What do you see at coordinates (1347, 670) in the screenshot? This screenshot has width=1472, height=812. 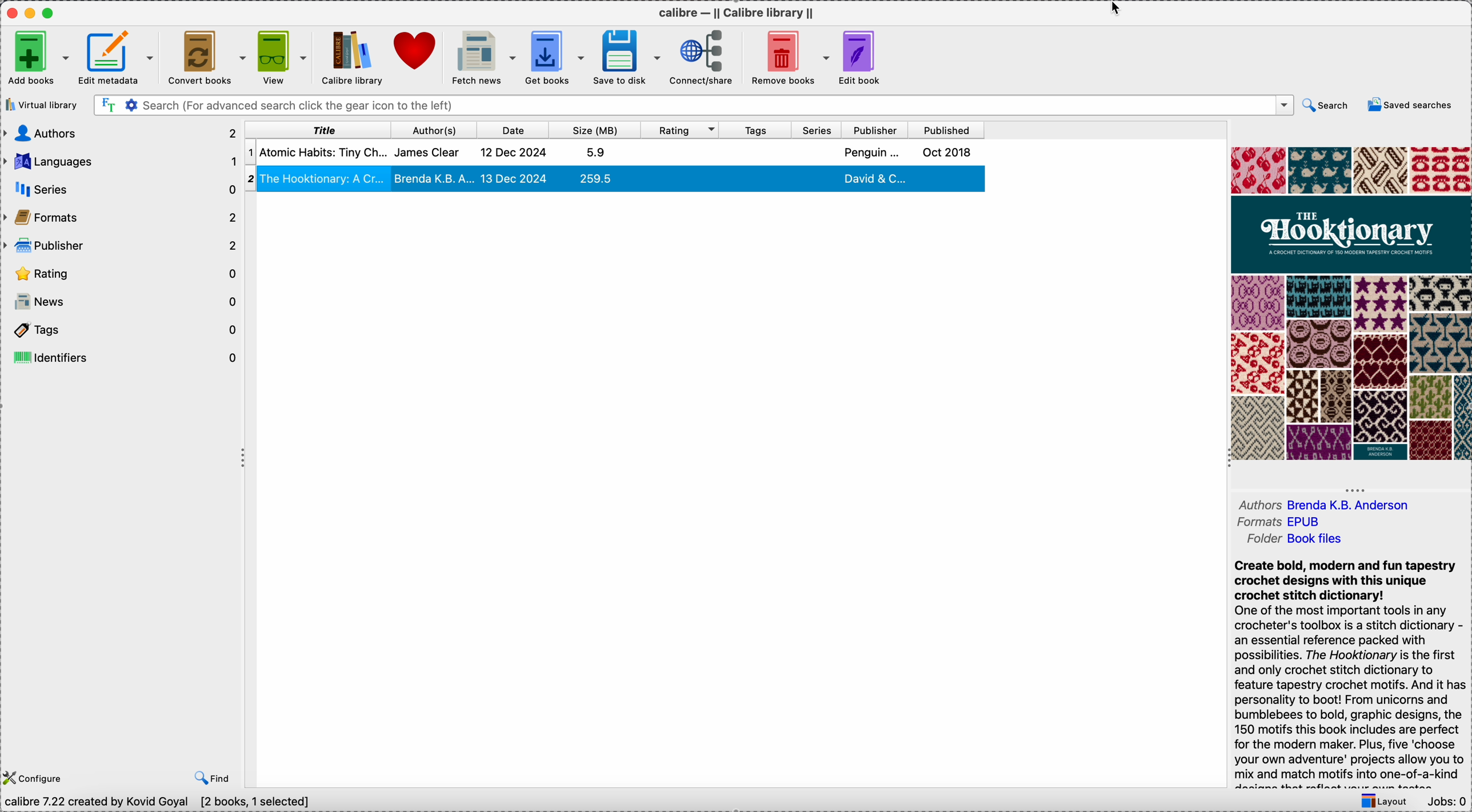 I see `synopsis` at bounding box center [1347, 670].